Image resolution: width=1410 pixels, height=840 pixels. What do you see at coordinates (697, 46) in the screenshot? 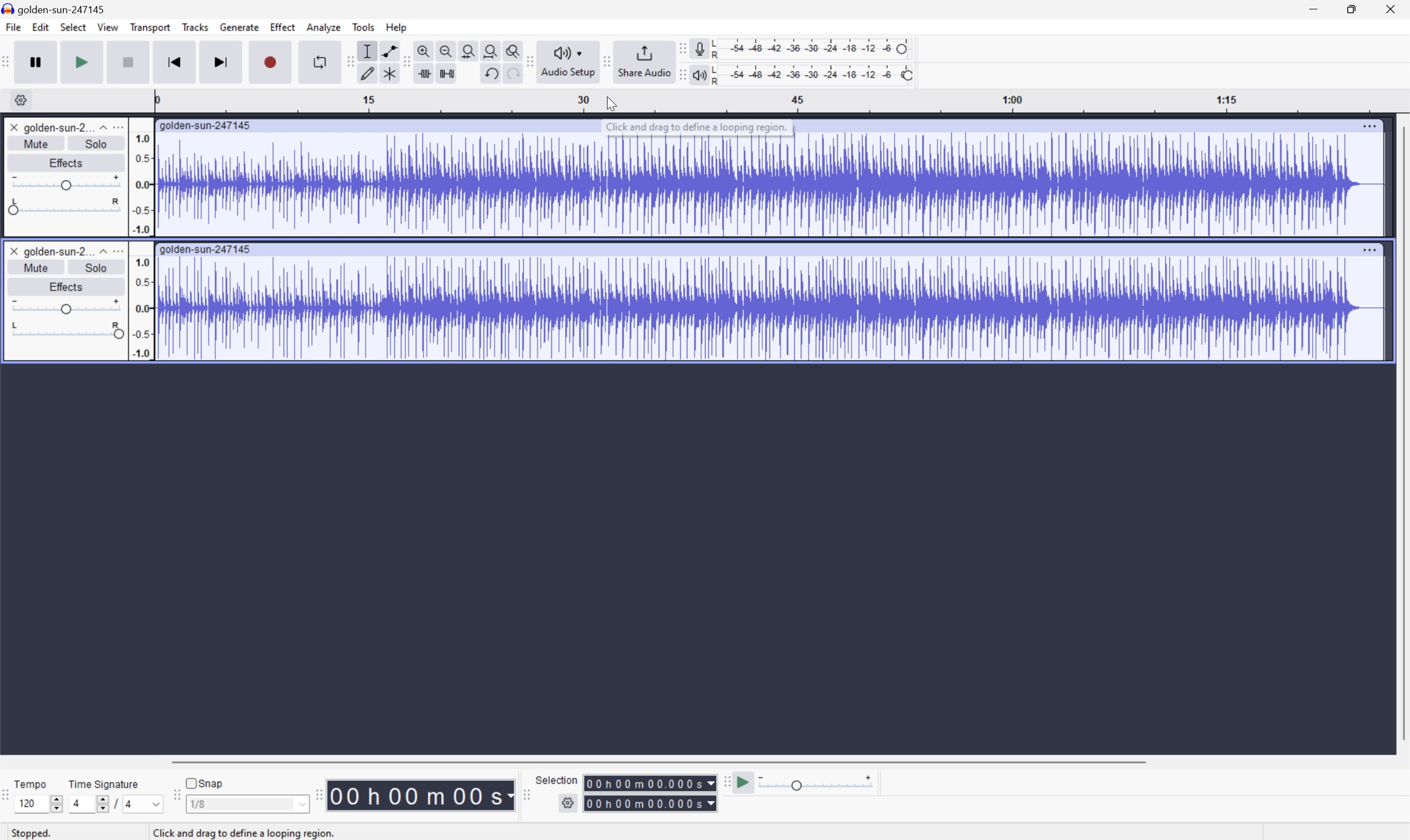
I see `Record meter` at bounding box center [697, 46].